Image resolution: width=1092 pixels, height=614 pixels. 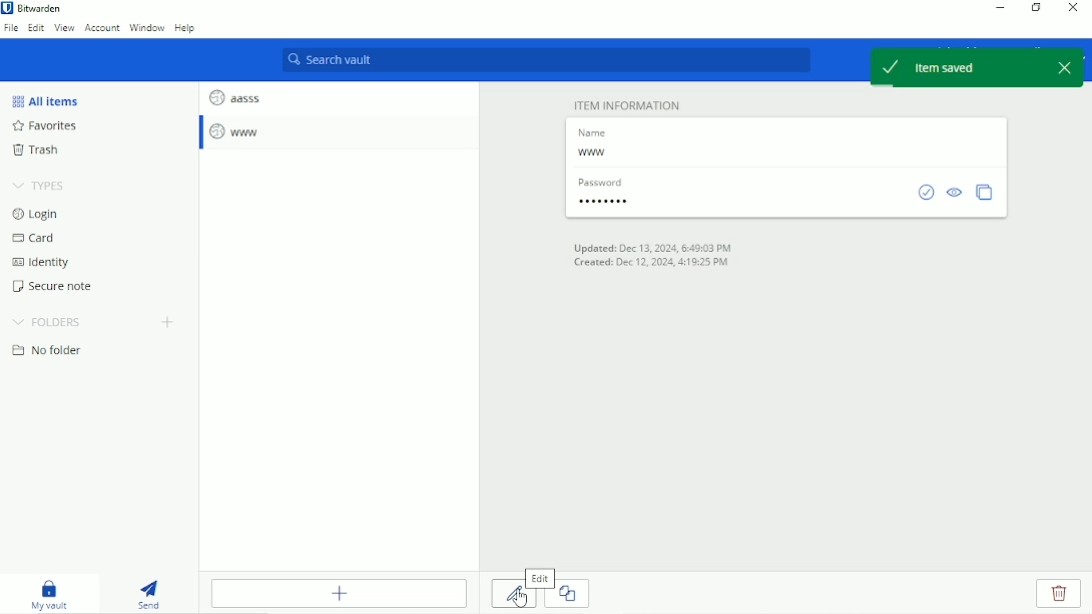 I want to click on Favorites, so click(x=49, y=127).